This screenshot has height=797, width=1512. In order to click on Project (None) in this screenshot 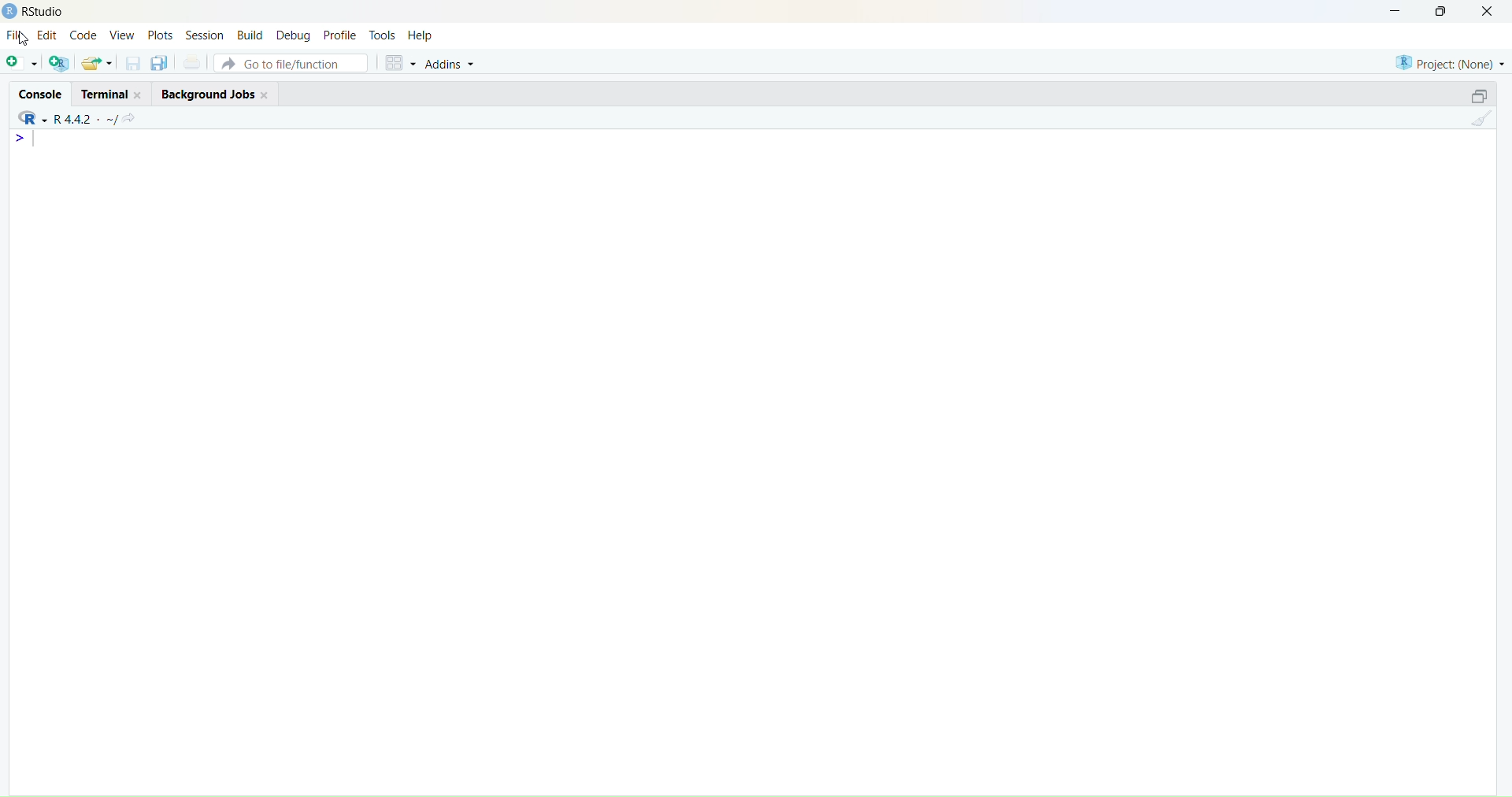, I will do `click(1447, 61)`.